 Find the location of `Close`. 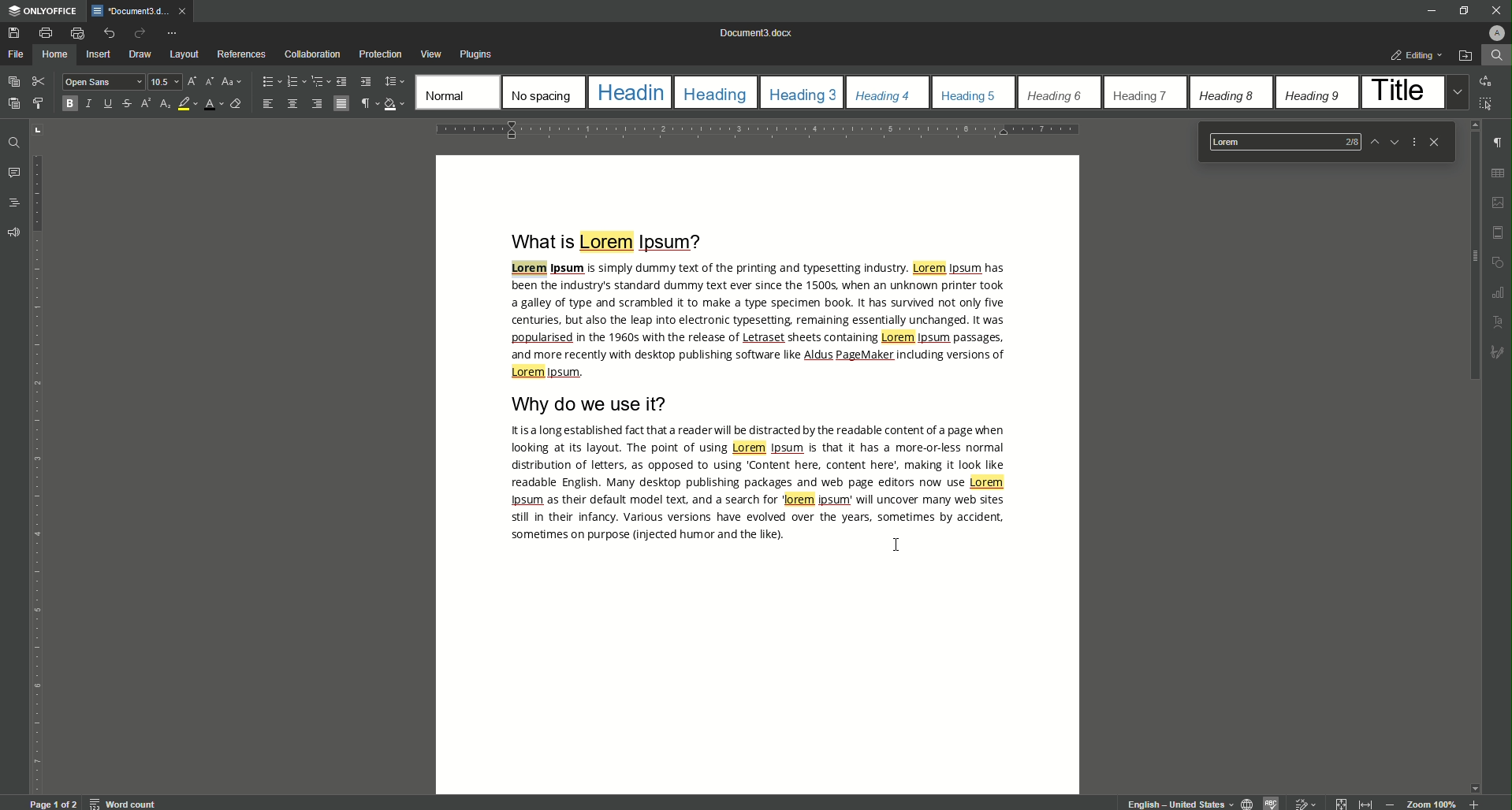

Close is located at coordinates (1435, 141).